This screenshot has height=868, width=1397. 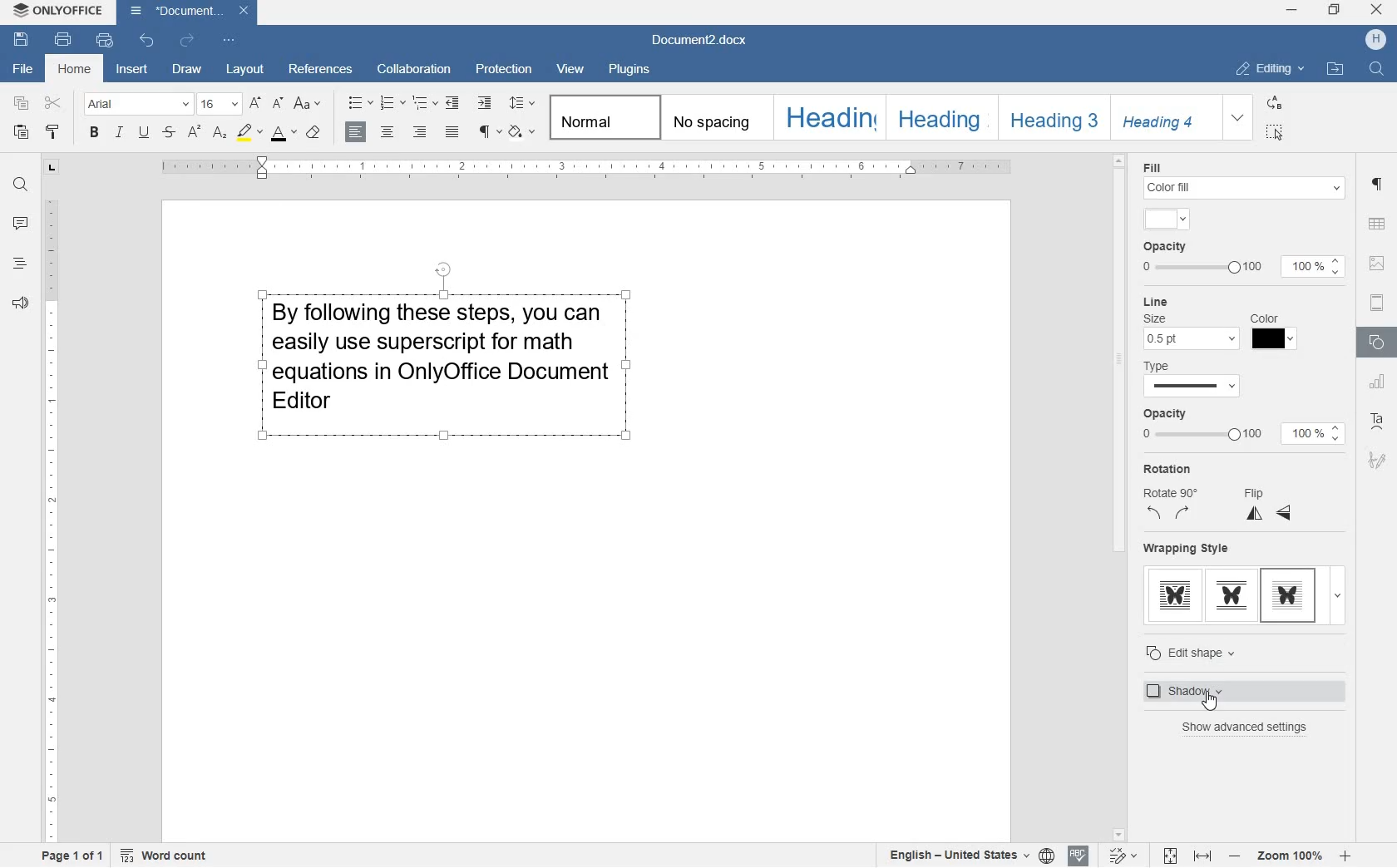 What do you see at coordinates (1377, 305) in the screenshot?
I see `headers & footers` at bounding box center [1377, 305].